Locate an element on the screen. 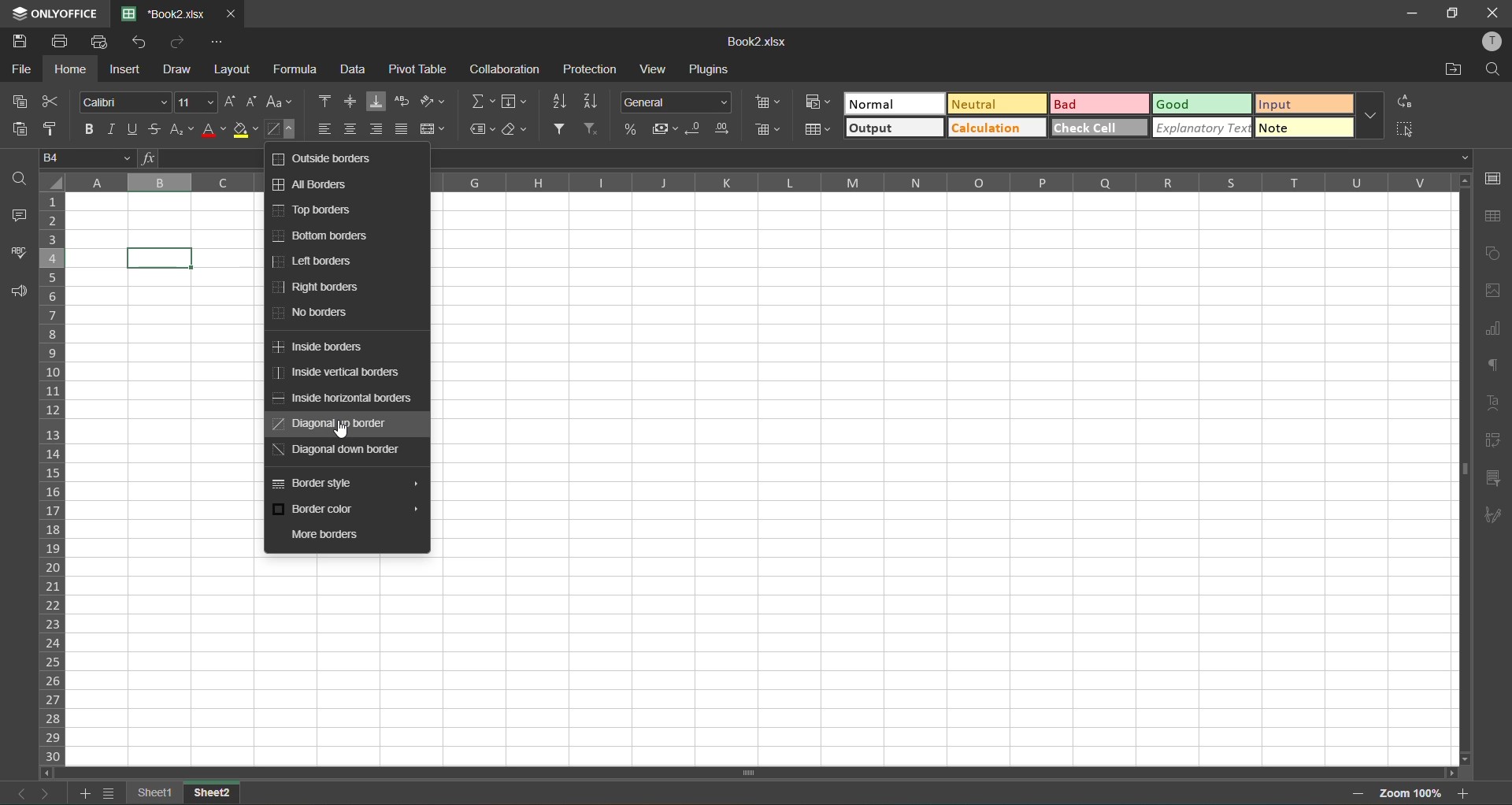 This screenshot has height=805, width=1512. profile is located at coordinates (1492, 43).